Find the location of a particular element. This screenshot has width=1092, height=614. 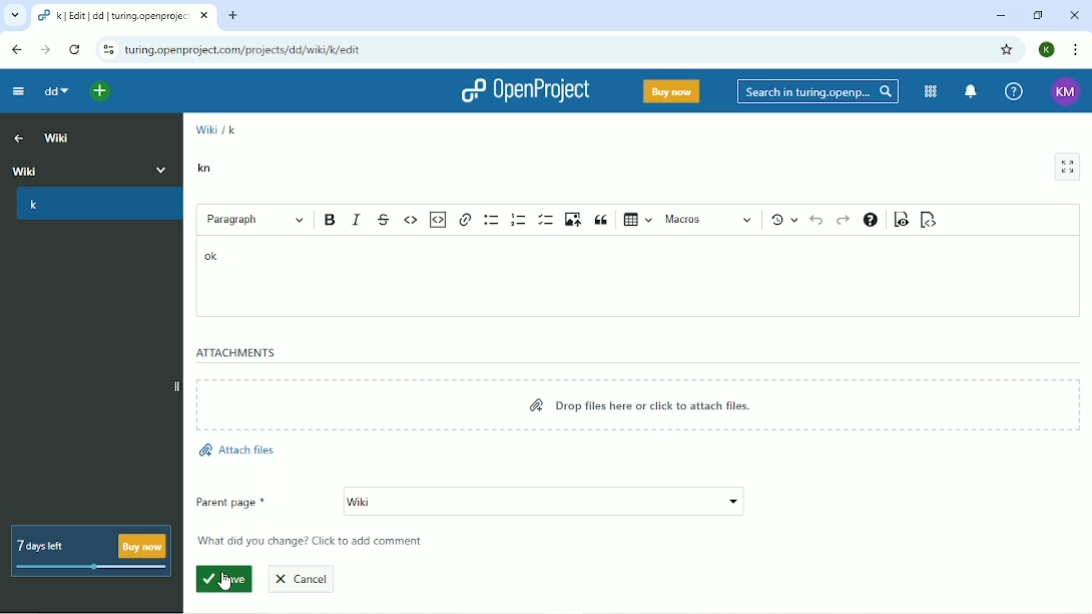

Wiki is located at coordinates (70, 169).